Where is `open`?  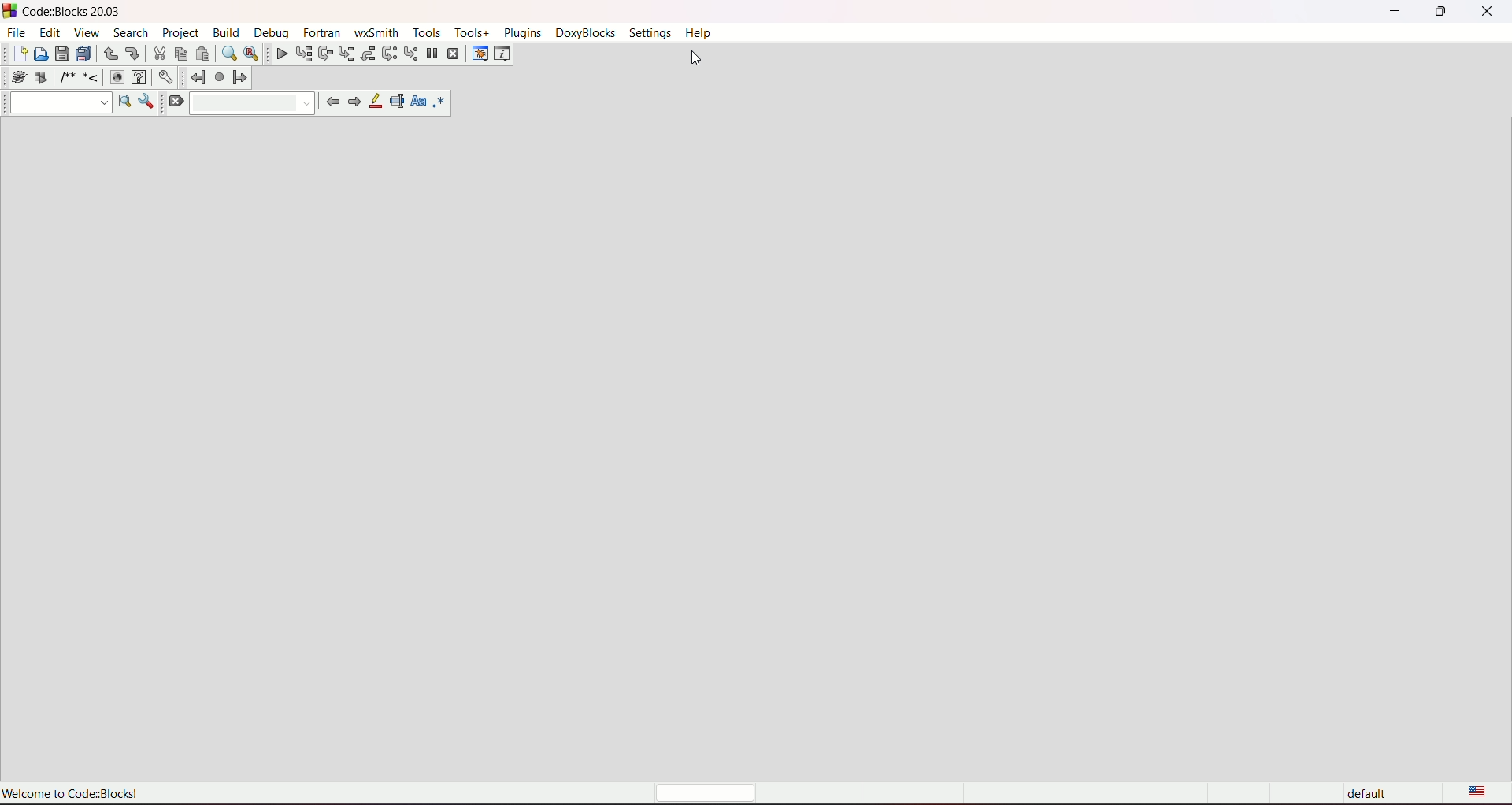
open is located at coordinates (41, 54).